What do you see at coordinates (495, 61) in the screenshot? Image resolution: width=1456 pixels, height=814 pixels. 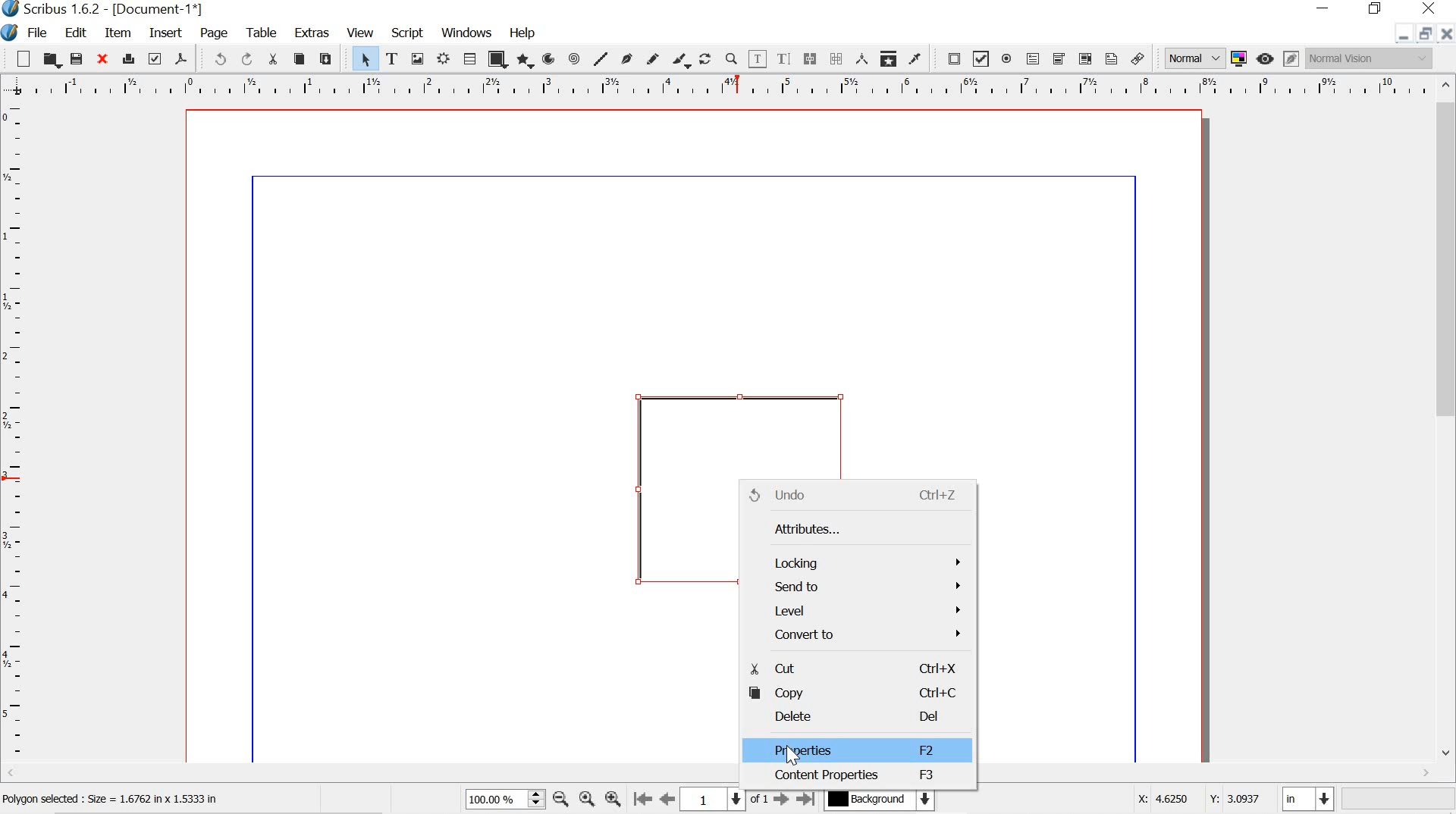 I see `shape` at bounding box center [495, 61].